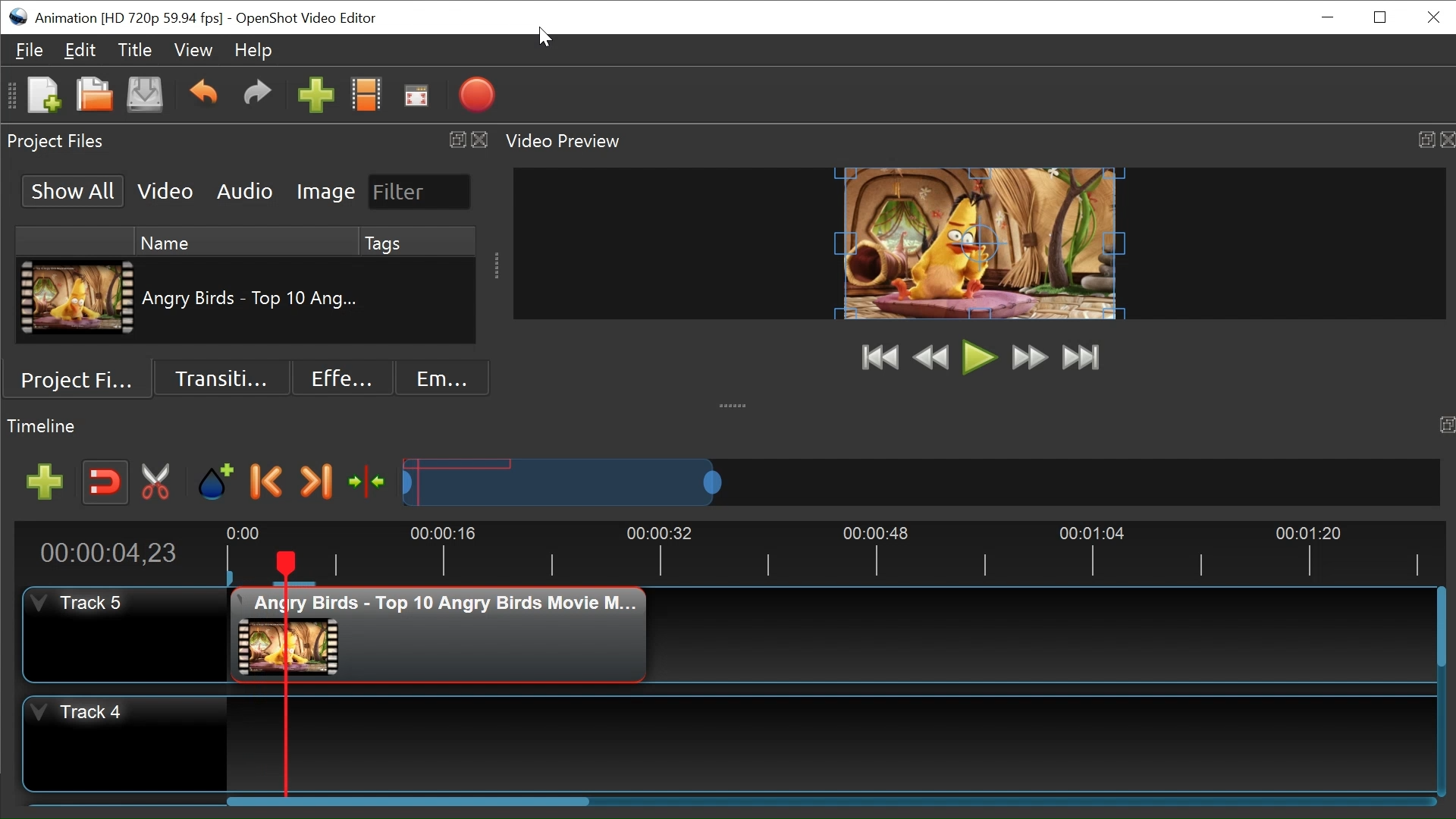  Describe the element at coordinates (125, 744) in the screenshot. I see `Track Header` at that location.